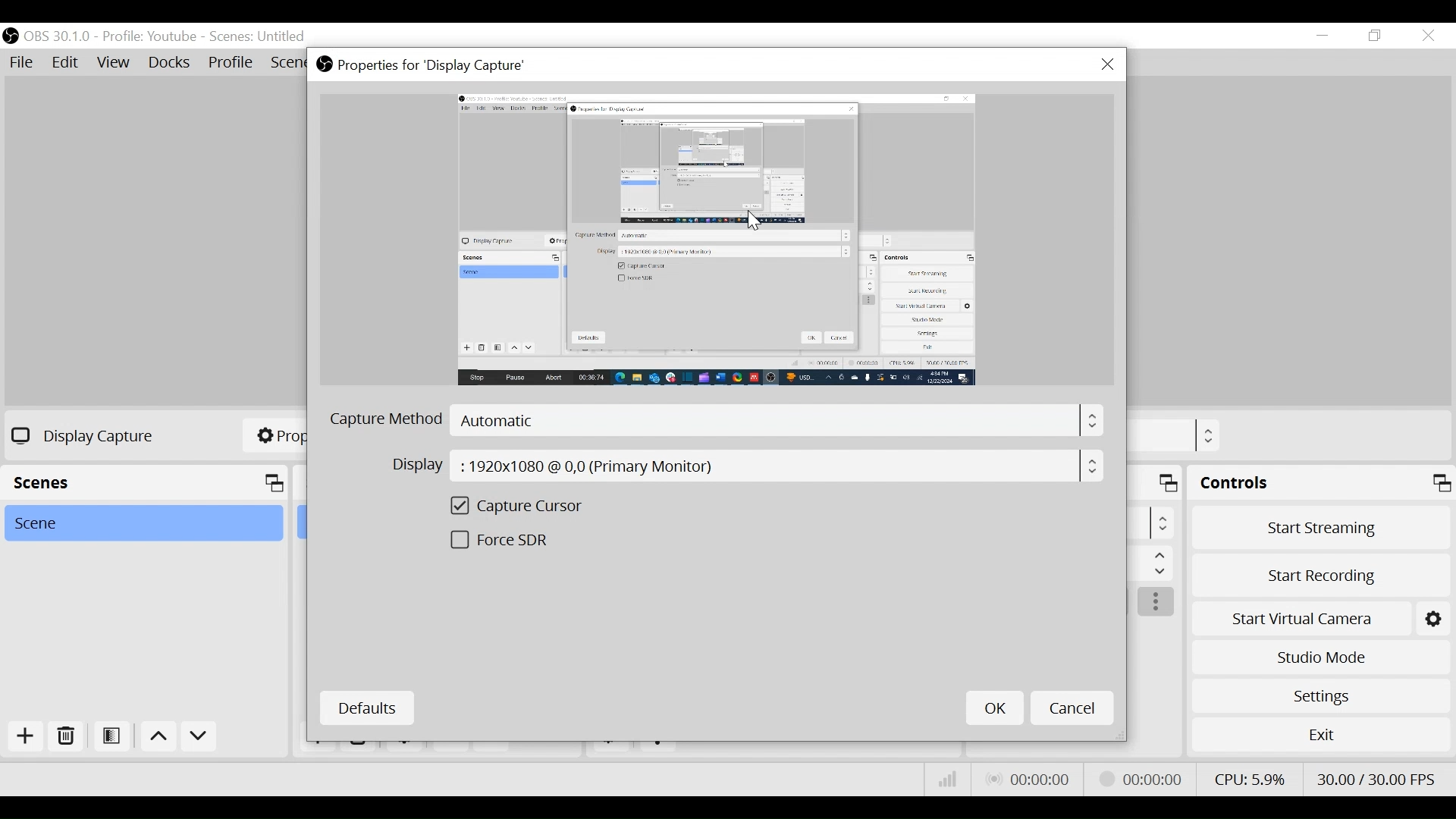 This screenshot has height=819, width=1456. What do you see at coordinates (714, 422) in the screenshot?
I see `Capture Method : Automatic` at bounding box center [714, 422].